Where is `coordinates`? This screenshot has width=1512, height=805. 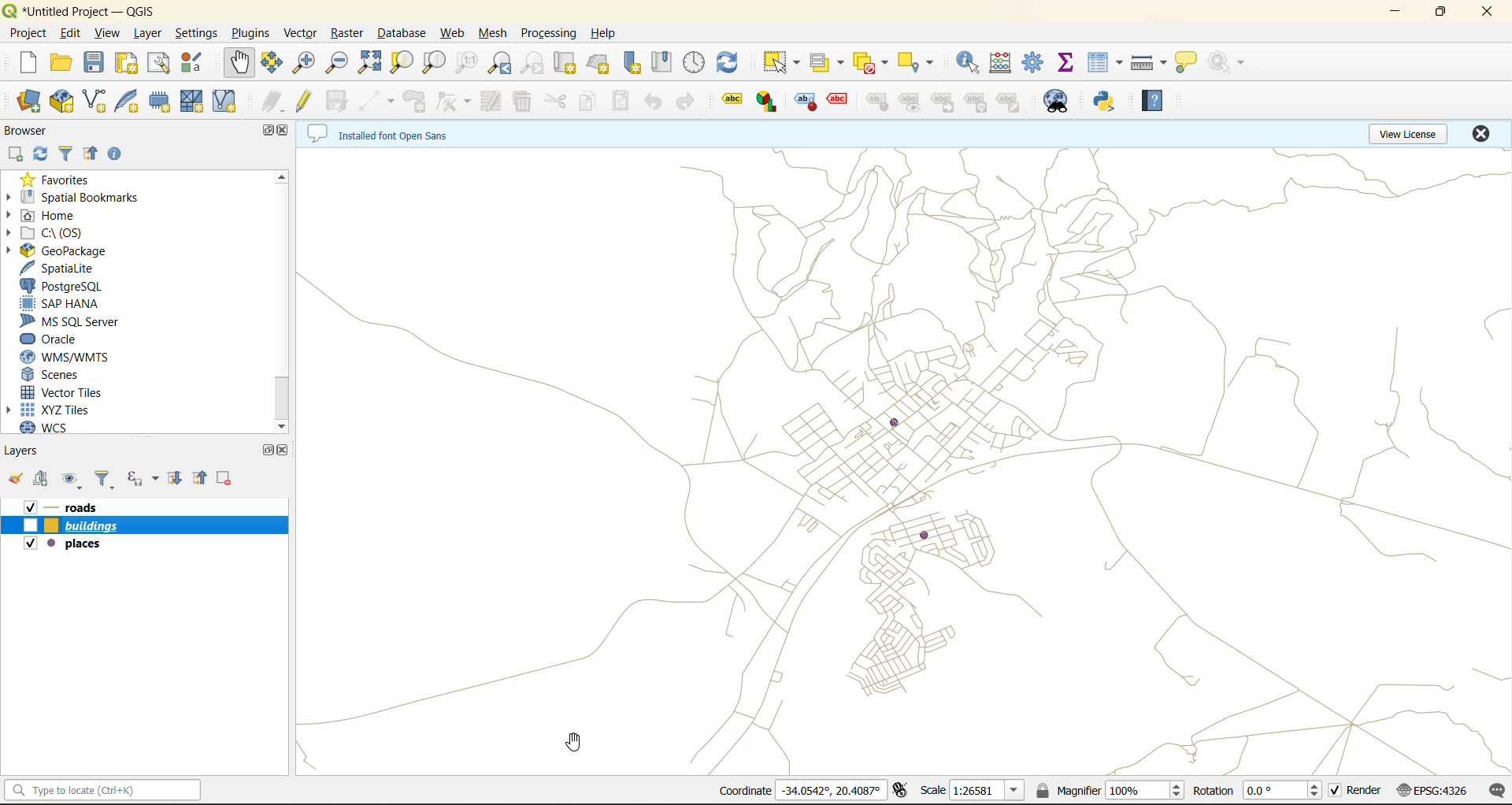 coordinates is located at coordinates (796, 790).